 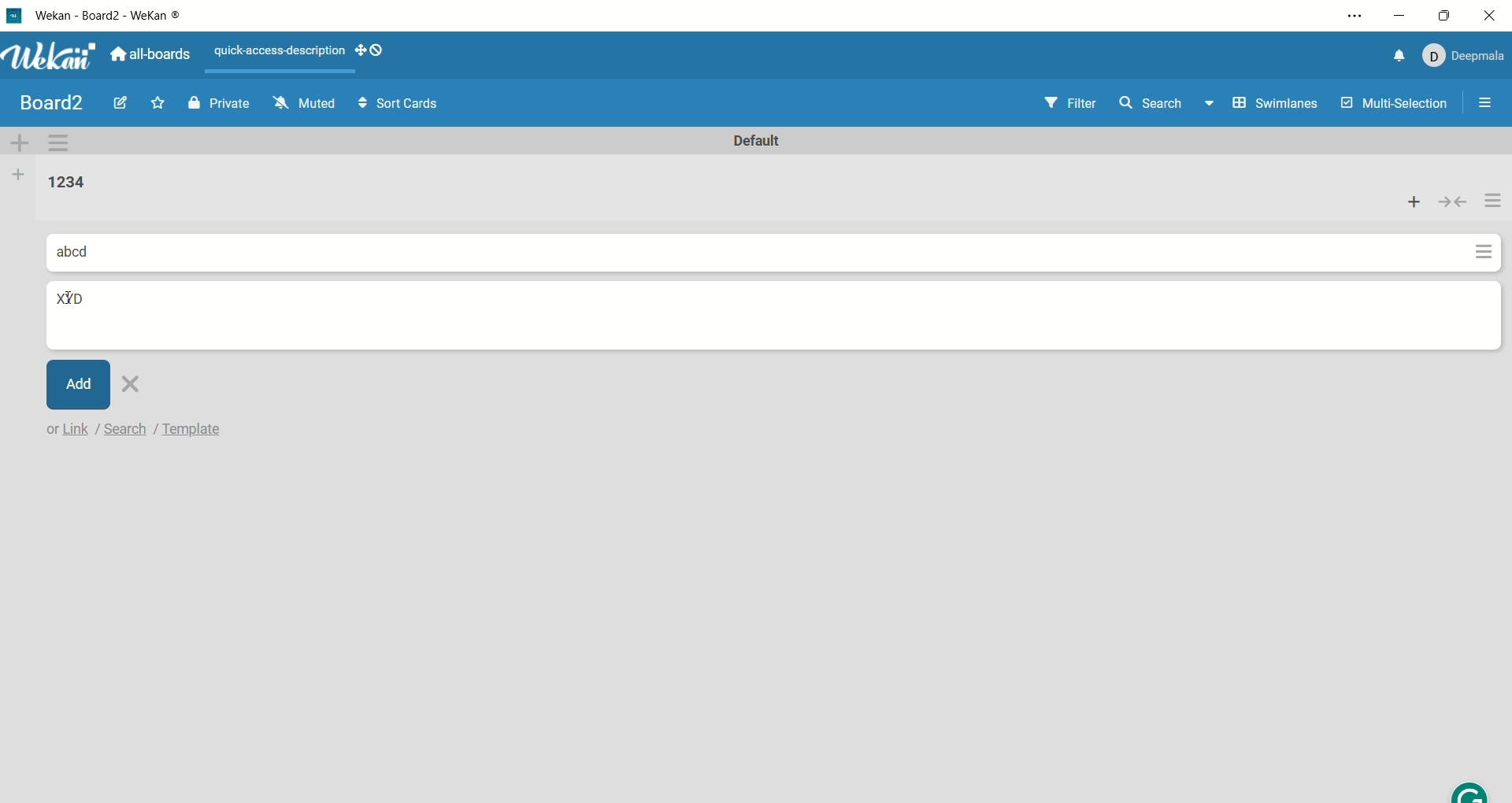 I want to click on close, so click(x=1493, y=17).